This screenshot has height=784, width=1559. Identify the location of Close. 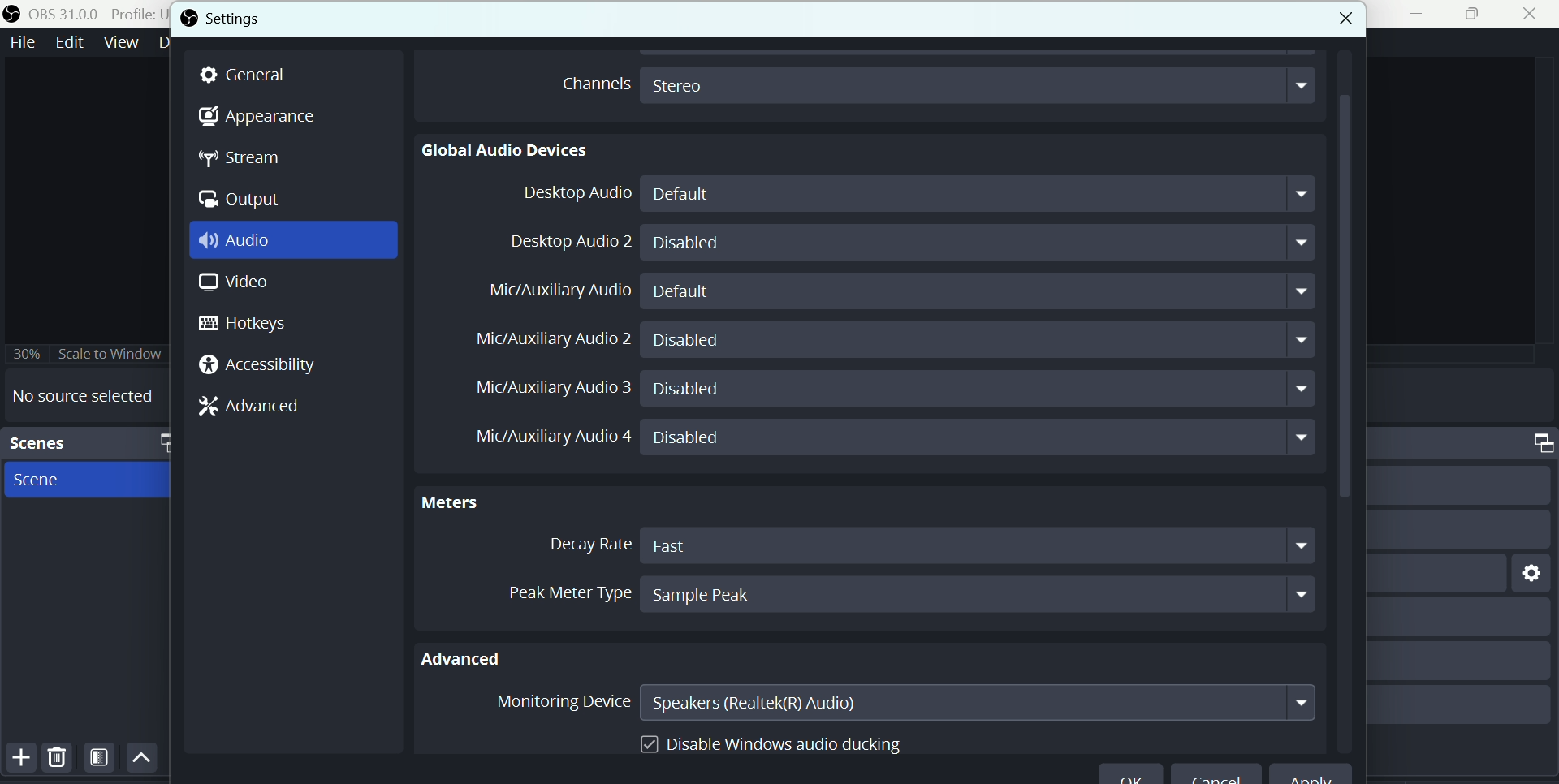
(1530, 15).